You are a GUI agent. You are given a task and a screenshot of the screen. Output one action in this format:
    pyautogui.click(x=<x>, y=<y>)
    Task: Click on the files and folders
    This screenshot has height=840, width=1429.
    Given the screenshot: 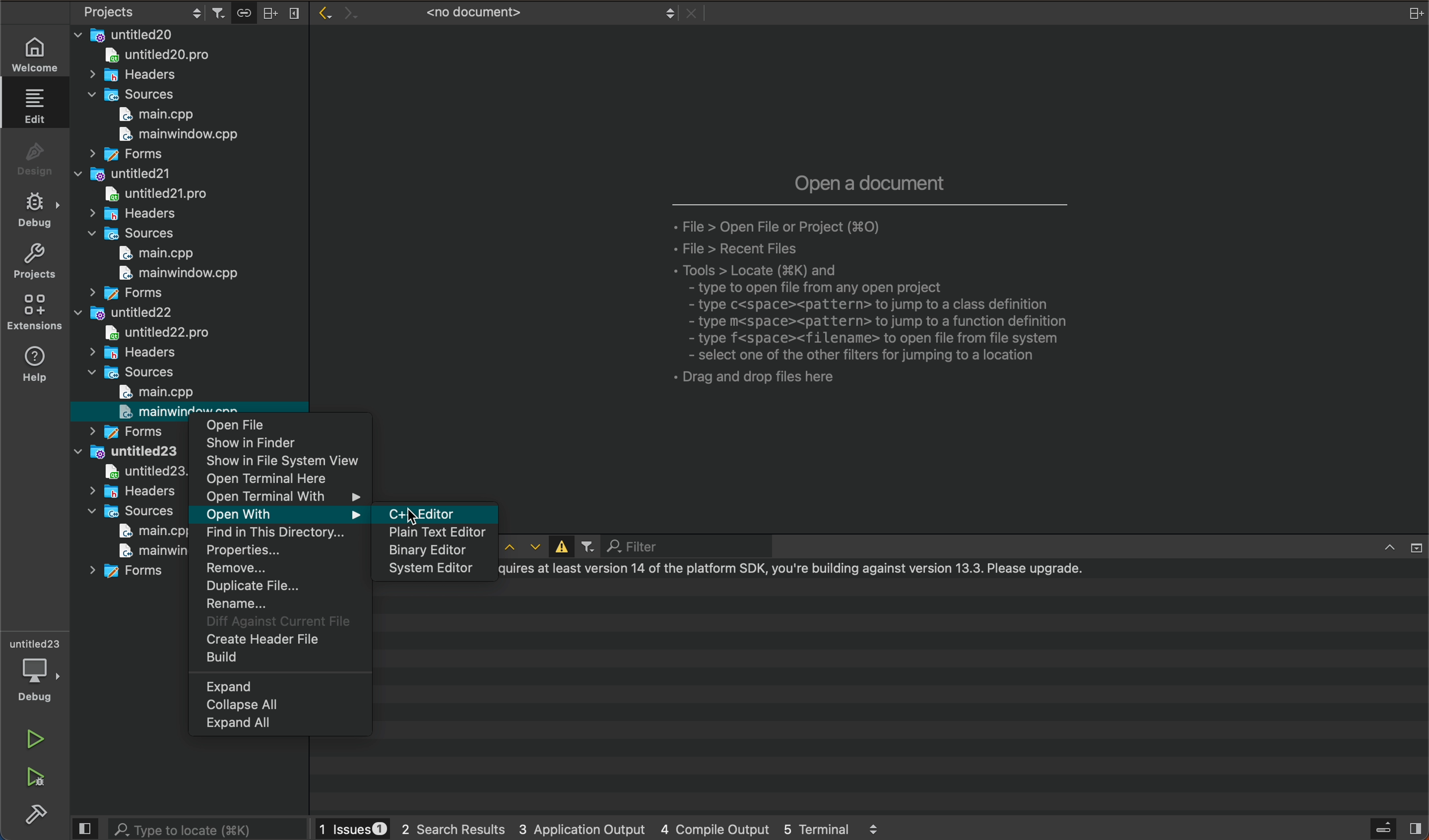 What is the action you would take?
    pyautogui.click(x=188, y=34)
    